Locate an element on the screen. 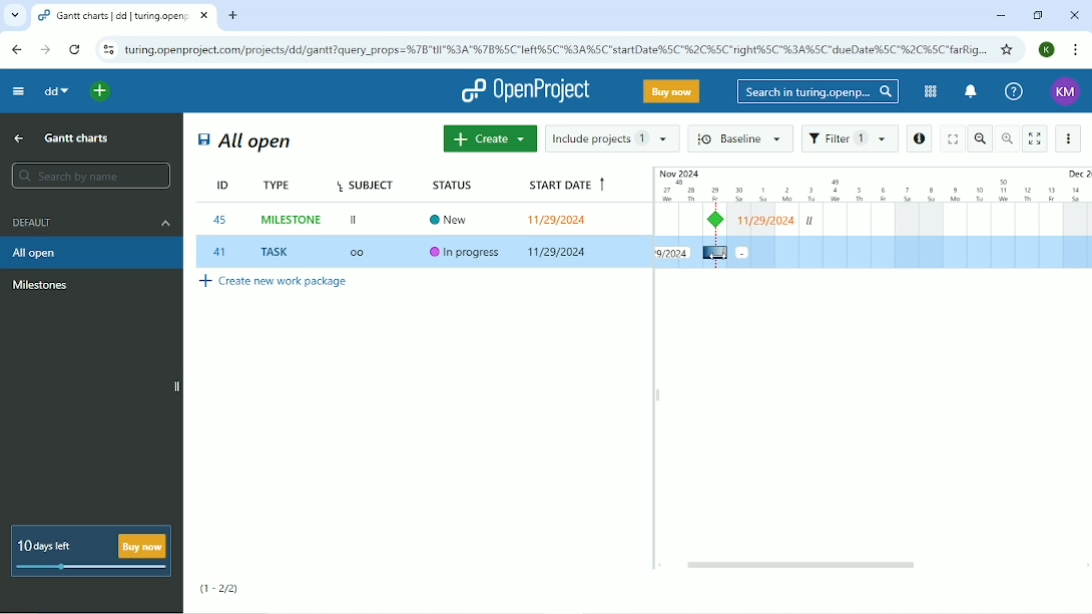 Image resolution: width=1092 pixels, height=614 pixels. Include projects is located at coordinates (612, 138).